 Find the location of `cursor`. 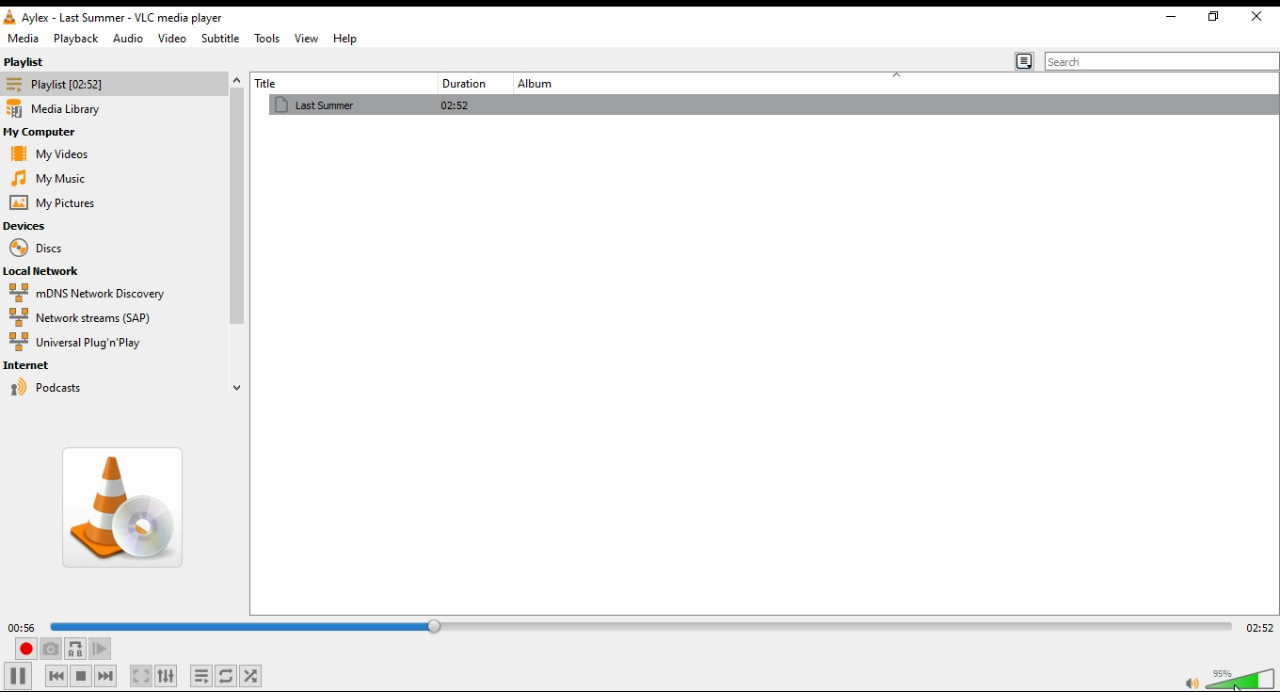

cursor is located at coordinates (1234, 684).